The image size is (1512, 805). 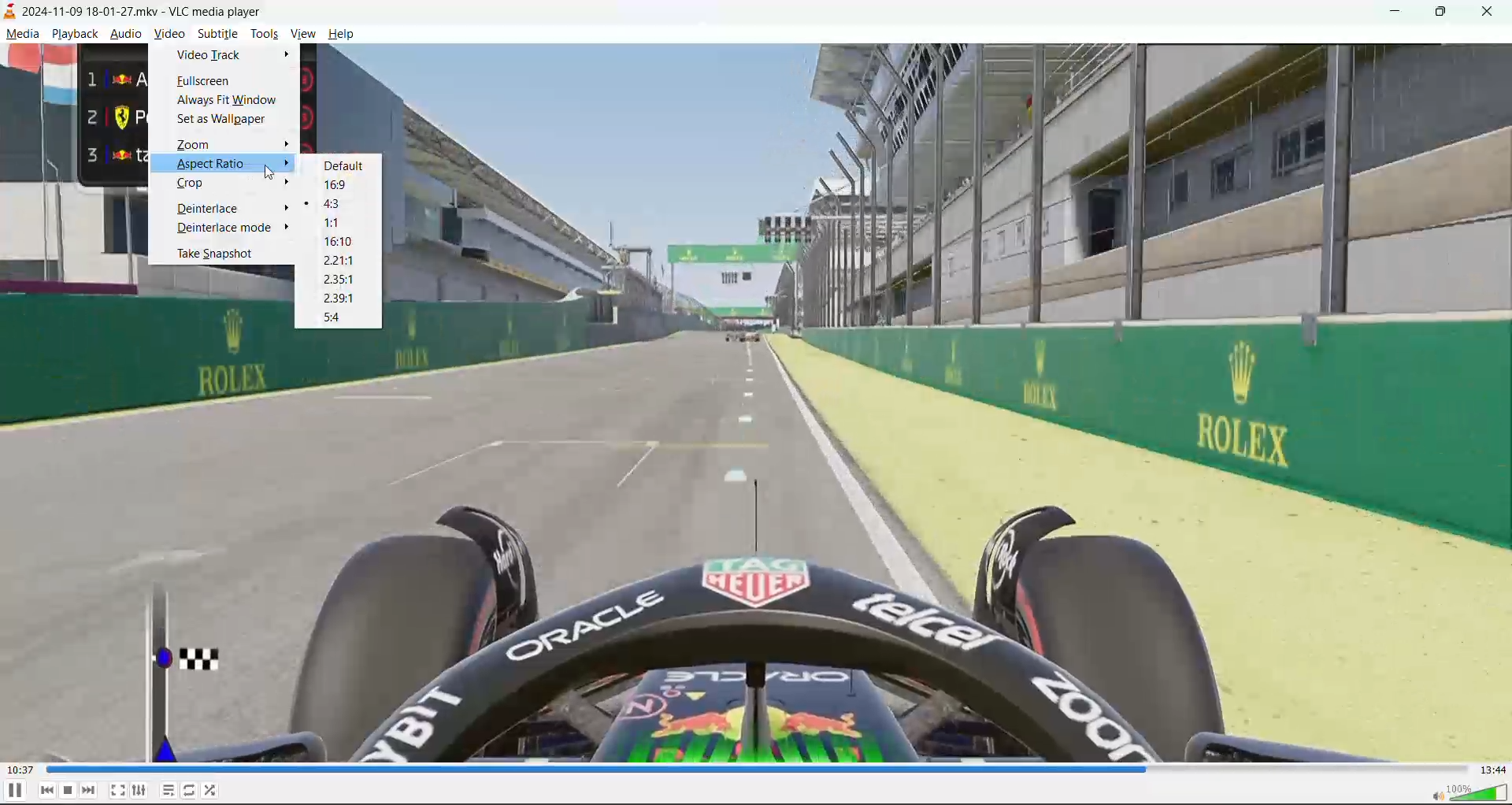 What do you see at coordinates (336, 223) in the screenshot?
I see `1:1` at bounding box center [336, 223].